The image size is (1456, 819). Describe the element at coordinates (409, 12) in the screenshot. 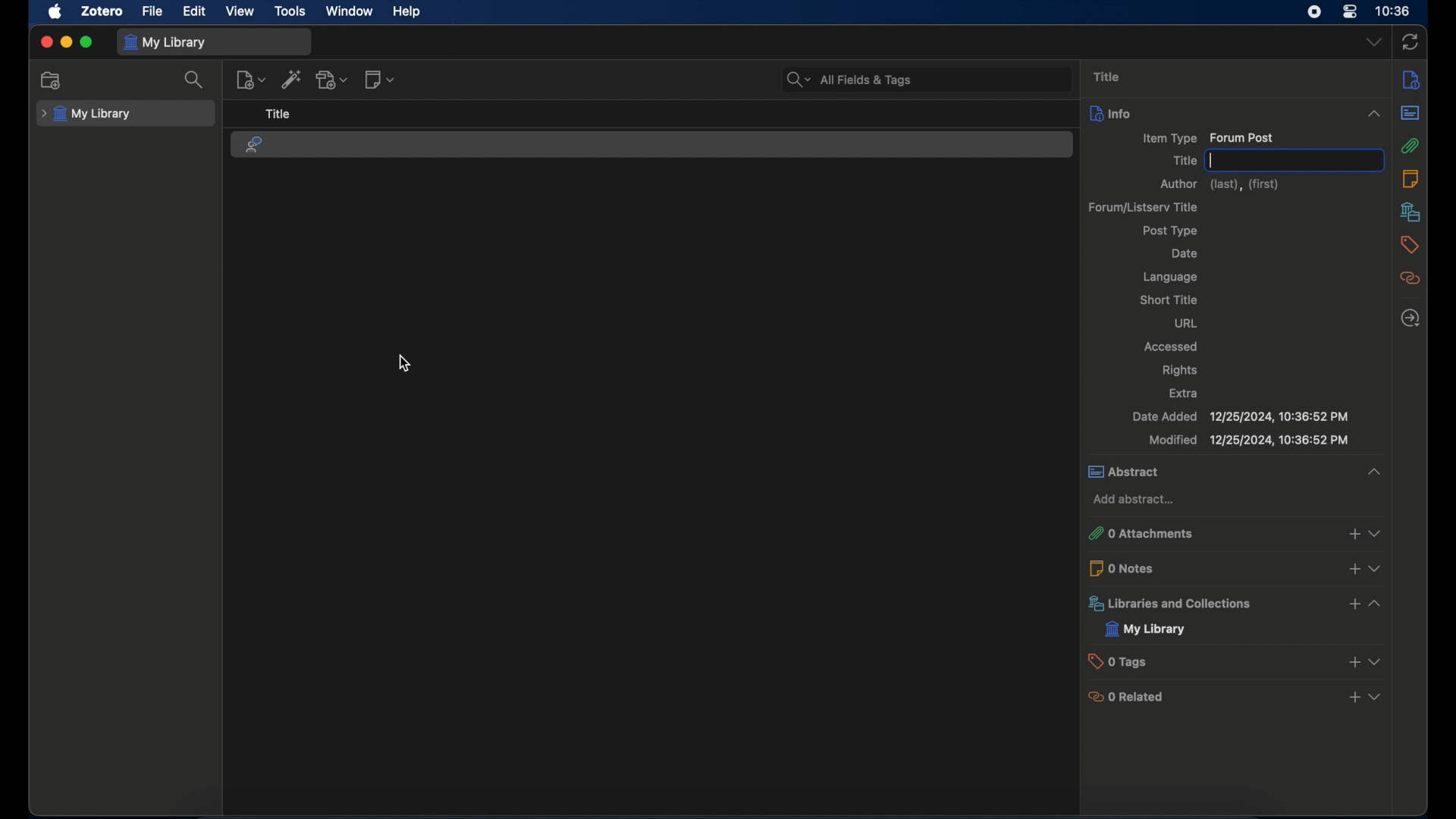

I see `help` at that location.